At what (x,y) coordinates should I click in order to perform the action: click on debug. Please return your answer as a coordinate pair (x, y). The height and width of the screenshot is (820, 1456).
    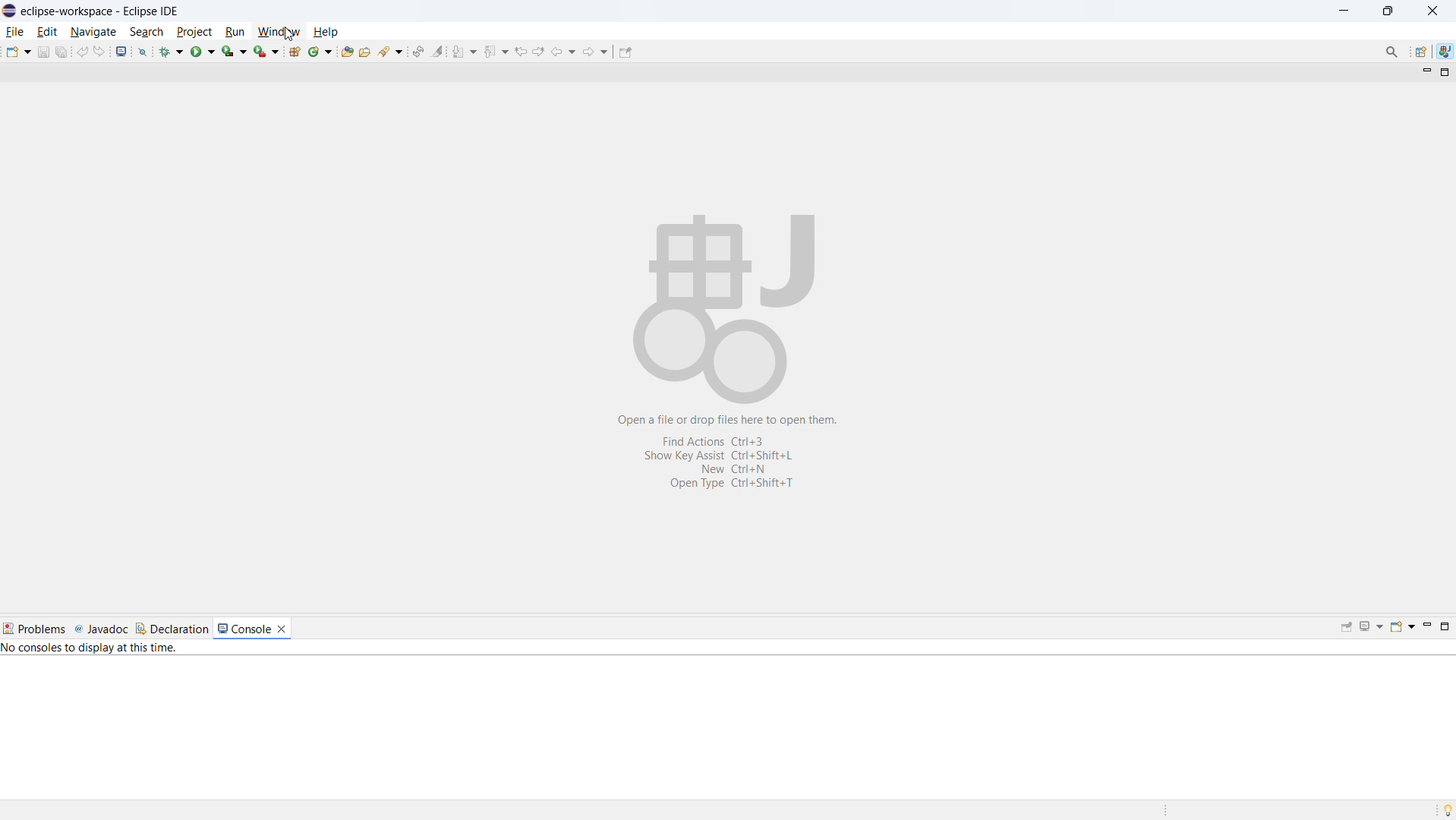
    Looking at the image, I should click on (172, 51).